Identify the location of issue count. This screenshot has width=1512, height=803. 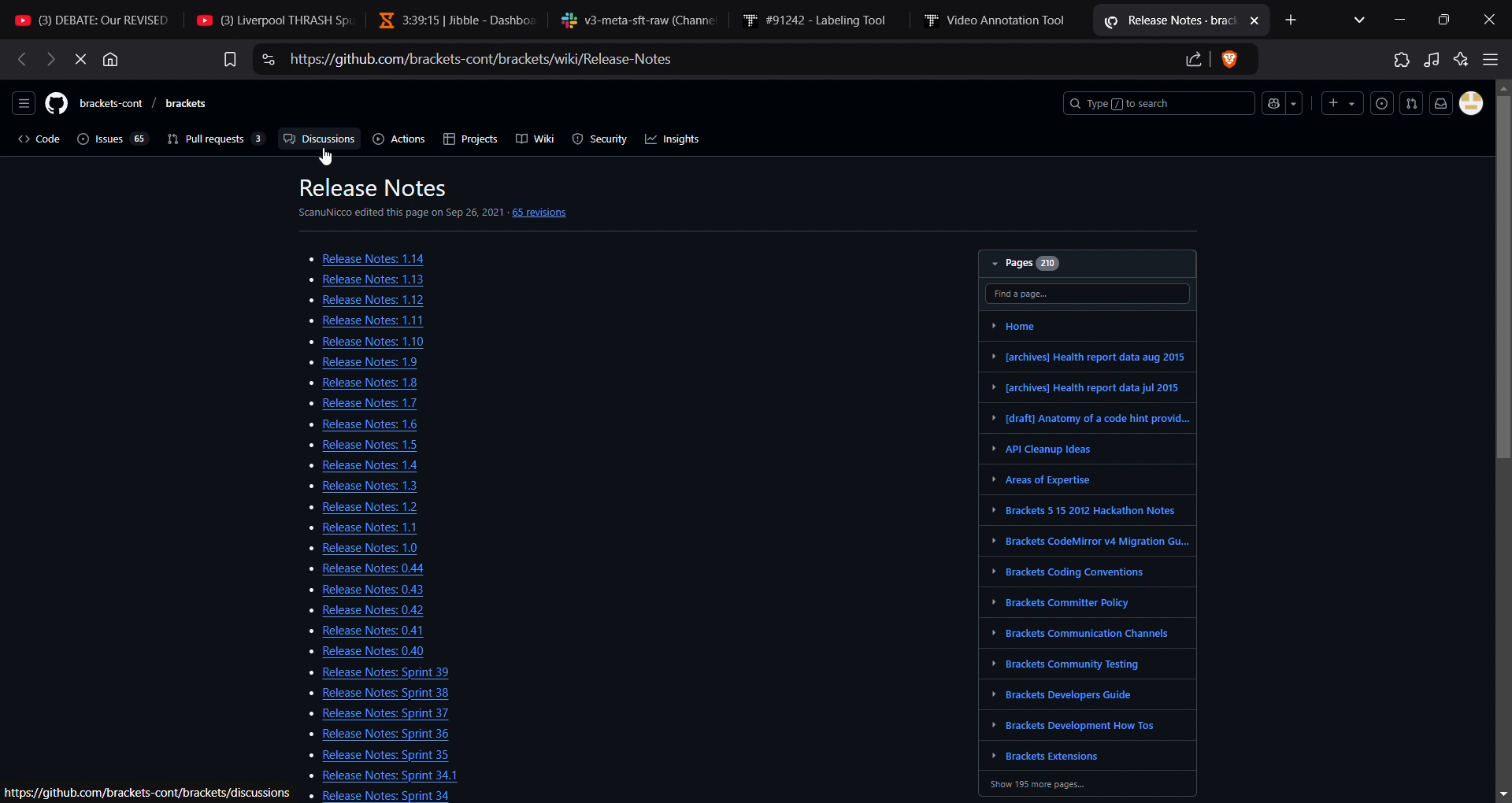
(110, 137).